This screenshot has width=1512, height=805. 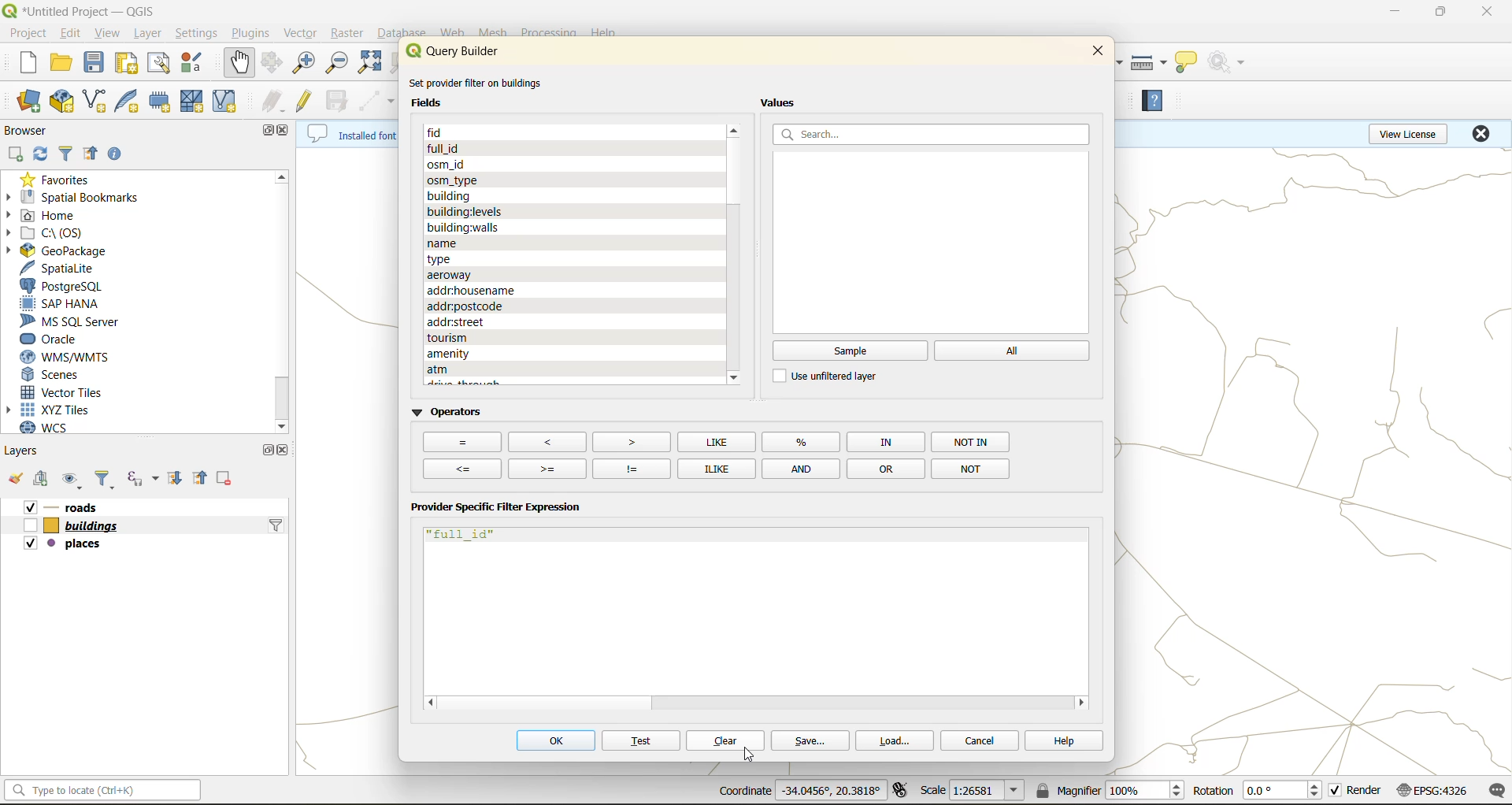 I want to click on browser, so click(x=27, y=128).